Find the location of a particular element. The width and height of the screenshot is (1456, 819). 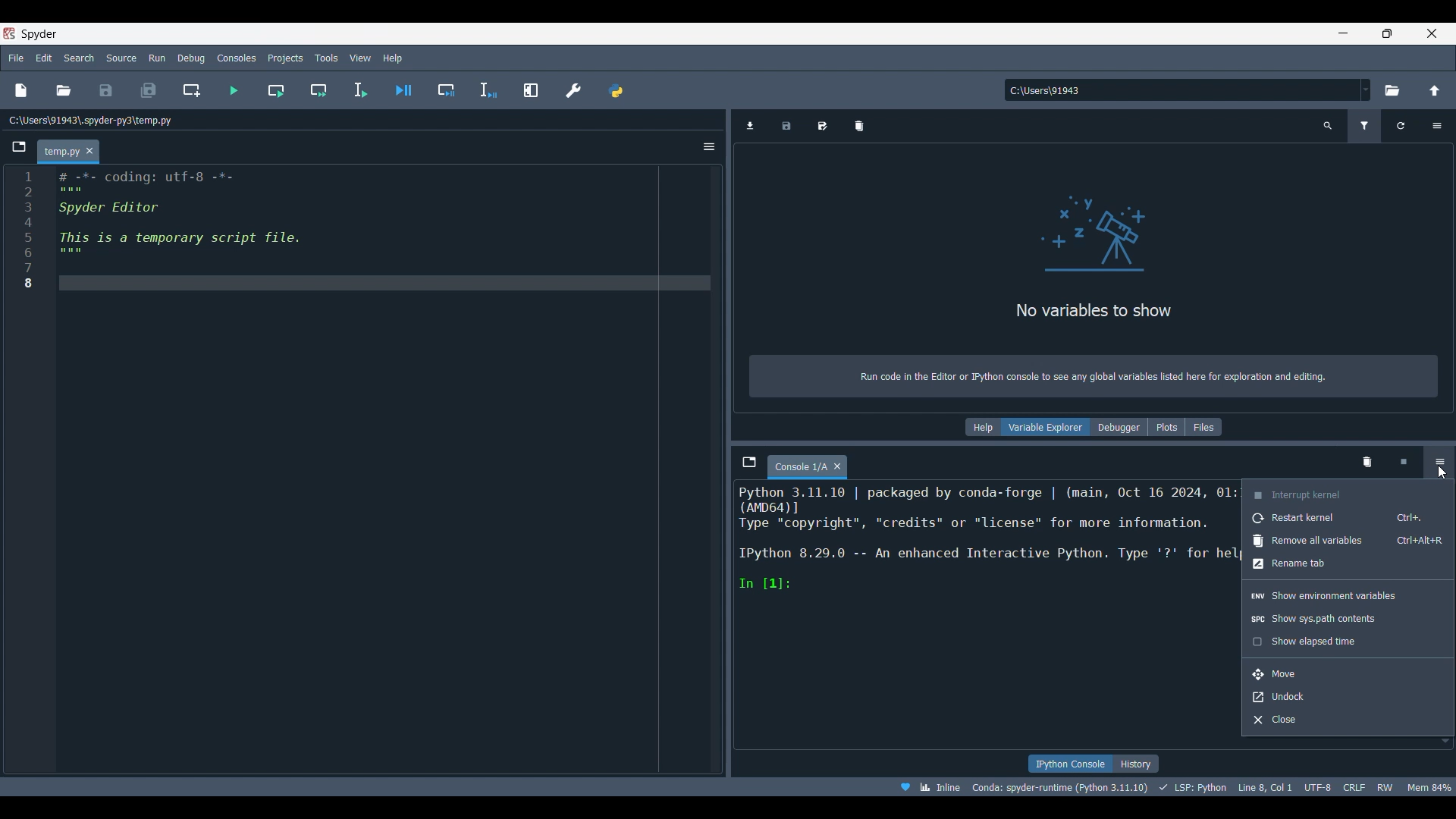

IPython console is located at coordinates (1070, 764).